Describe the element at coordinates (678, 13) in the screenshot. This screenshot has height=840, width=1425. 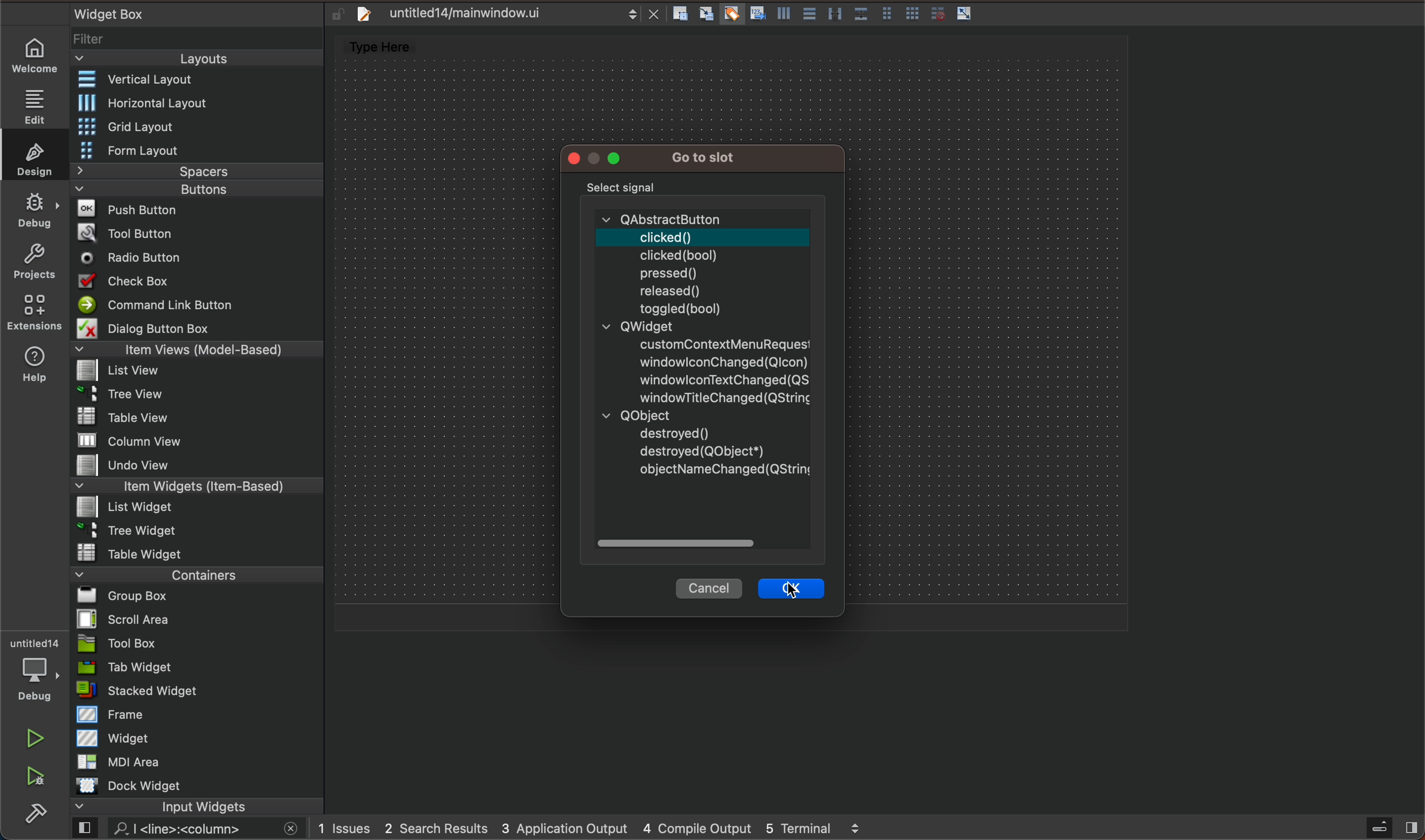
I see `` at that location.